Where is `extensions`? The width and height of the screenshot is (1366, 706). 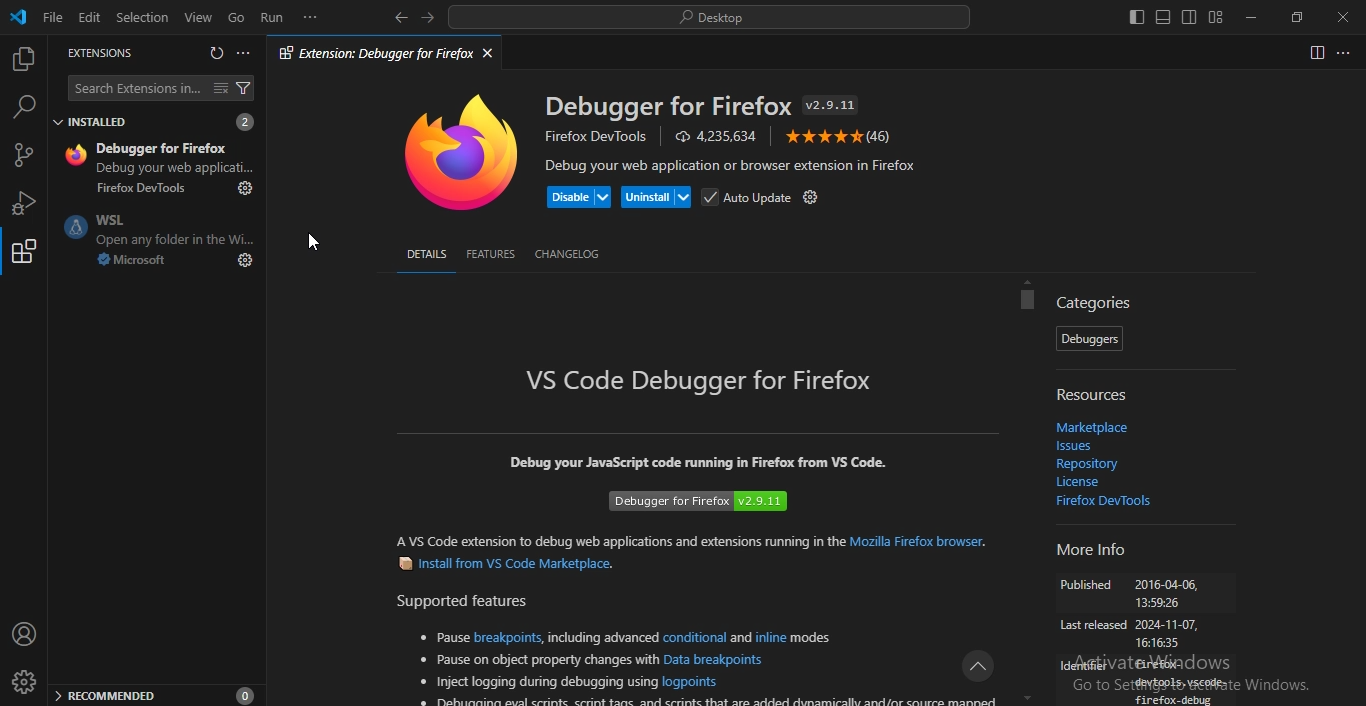
extensions is located at coordinates (97, 53).